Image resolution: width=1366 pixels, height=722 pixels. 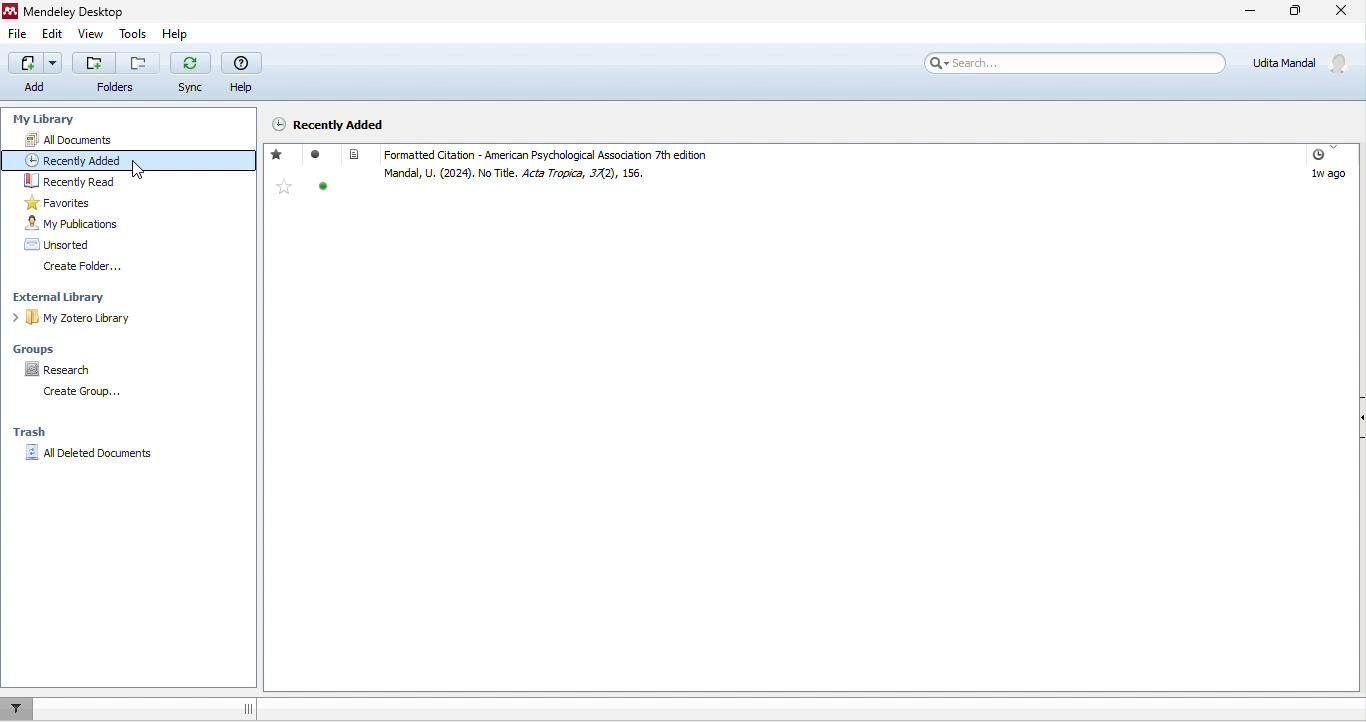 I want to click on Recently Added, so click(x=328, y=124).